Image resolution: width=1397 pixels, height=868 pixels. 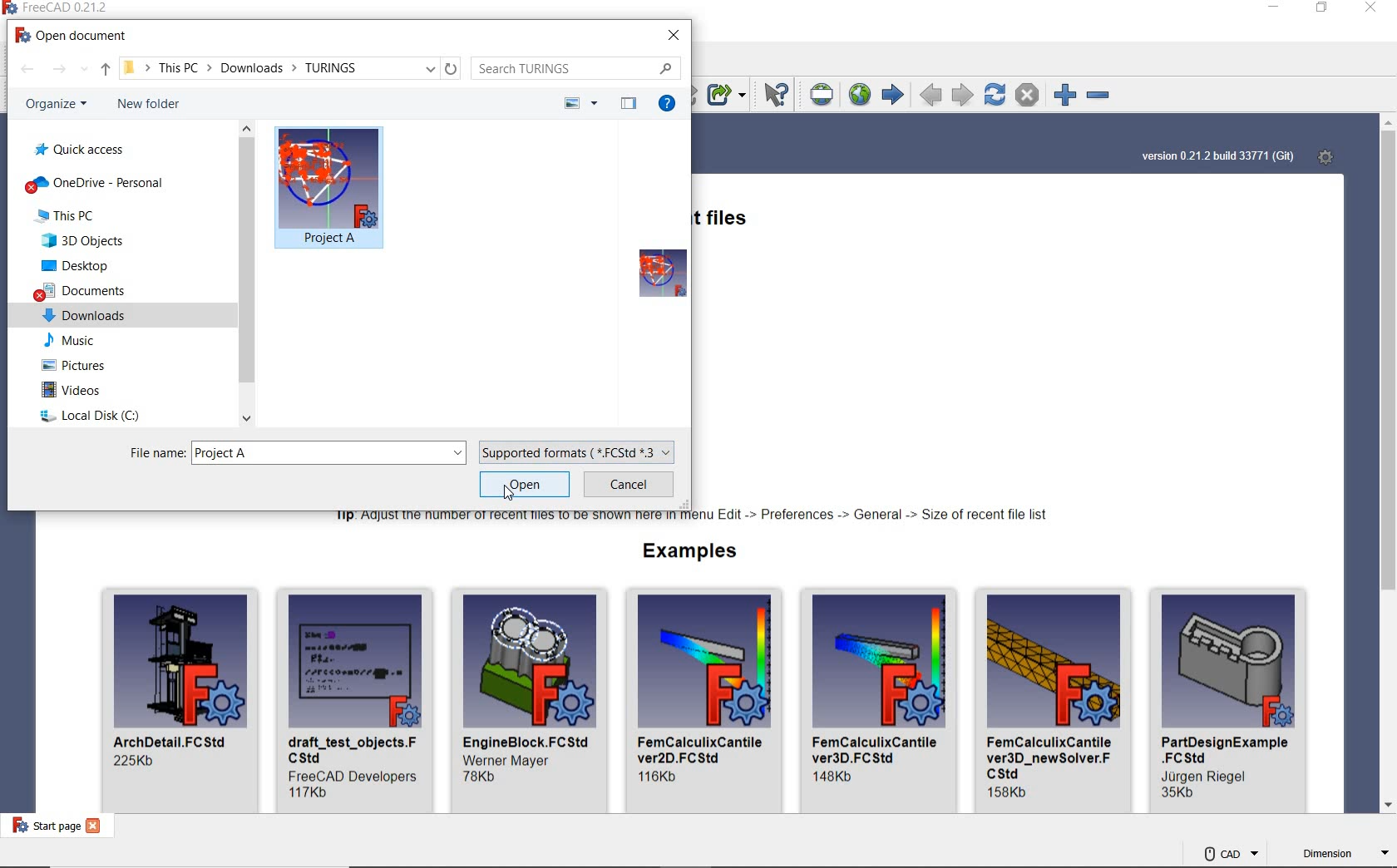 I want to click on image, so click(x=180, y=662).